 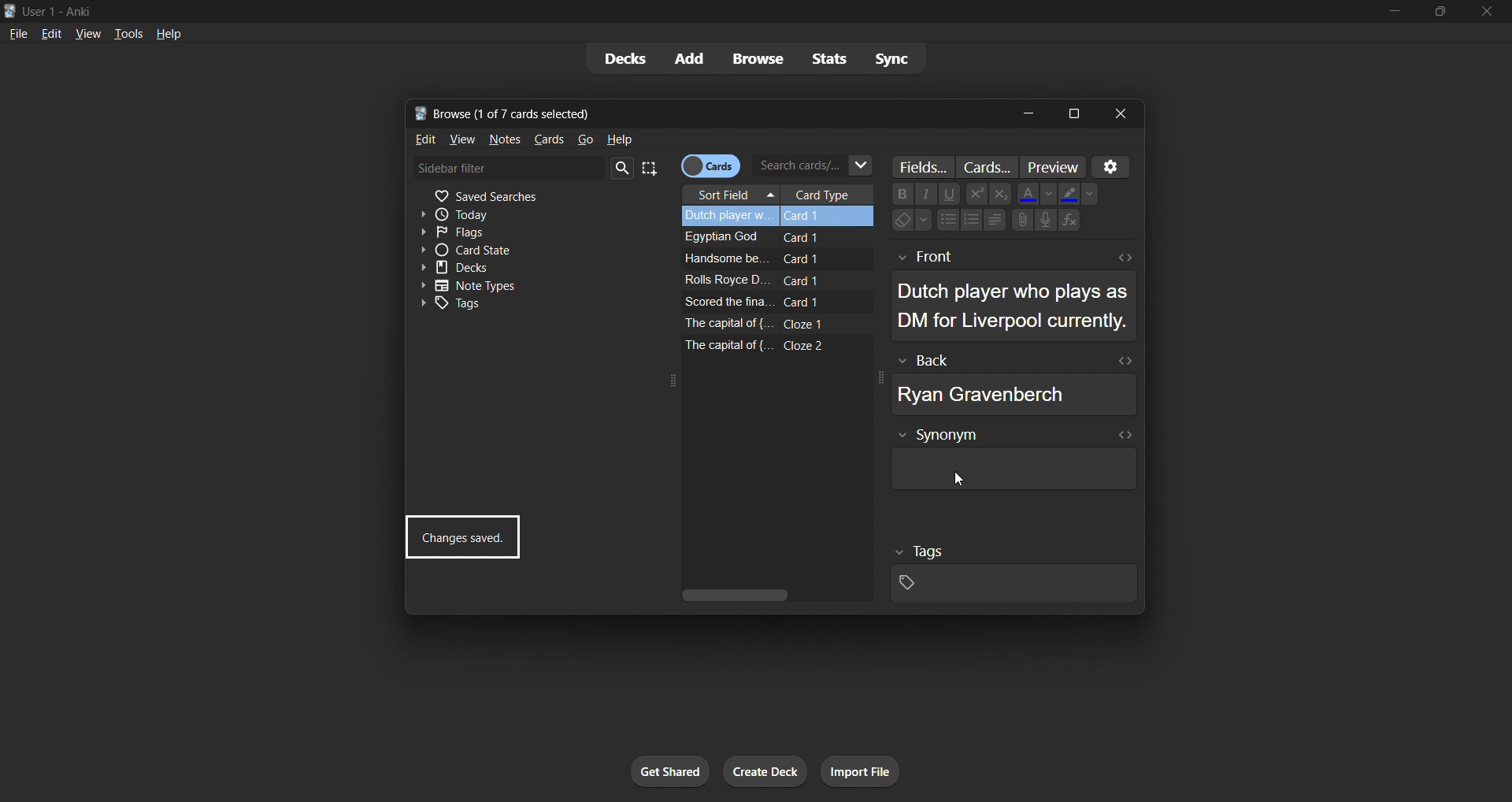 What do you see at coordinates (1026, 194) in the screenshot?
I see `Font Color` at bounding box center [1026, 194].